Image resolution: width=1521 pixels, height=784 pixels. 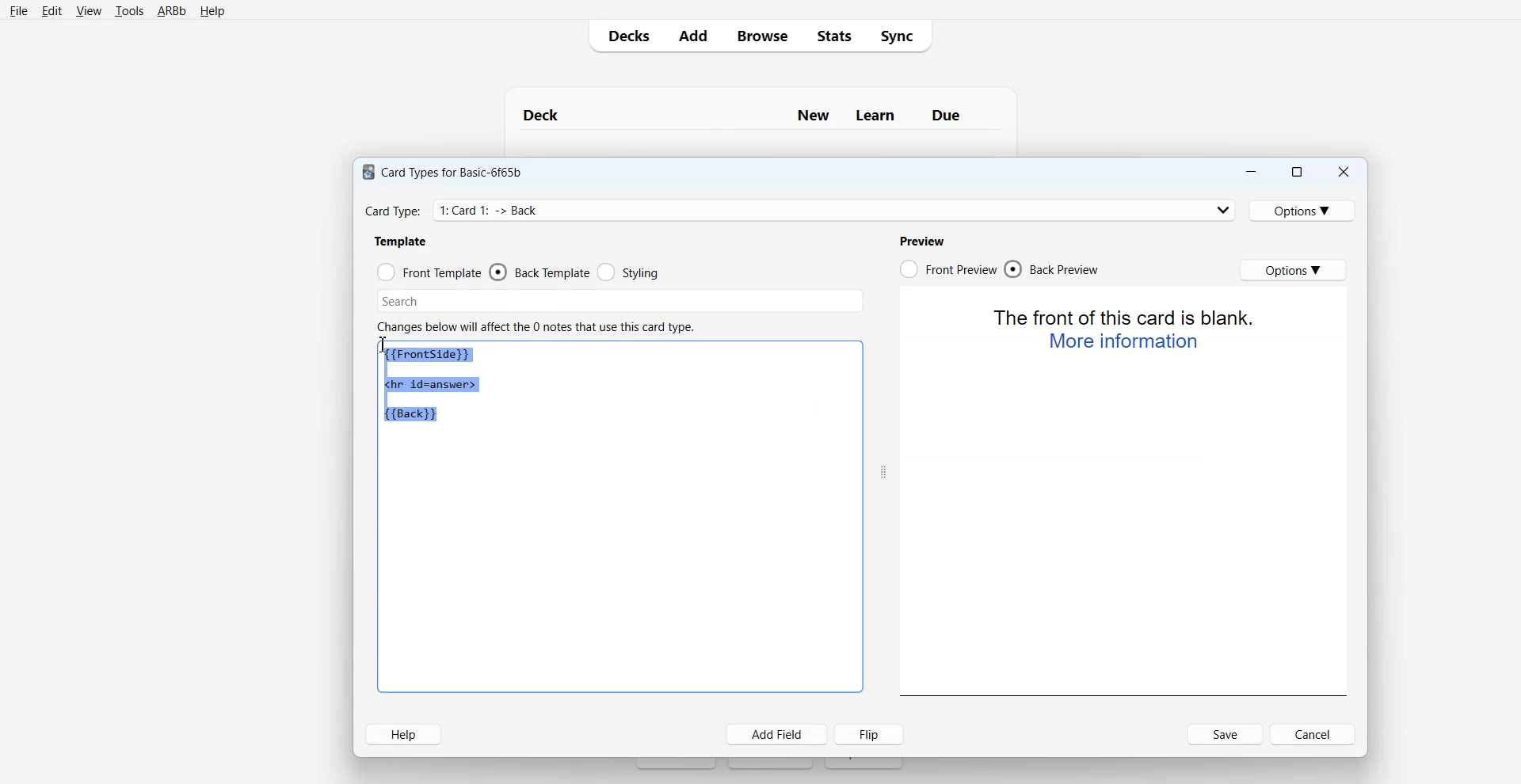 What do you see at coordinates (760, 108) in the screenshot?
I see `Text` at bounding box center [760, 108].